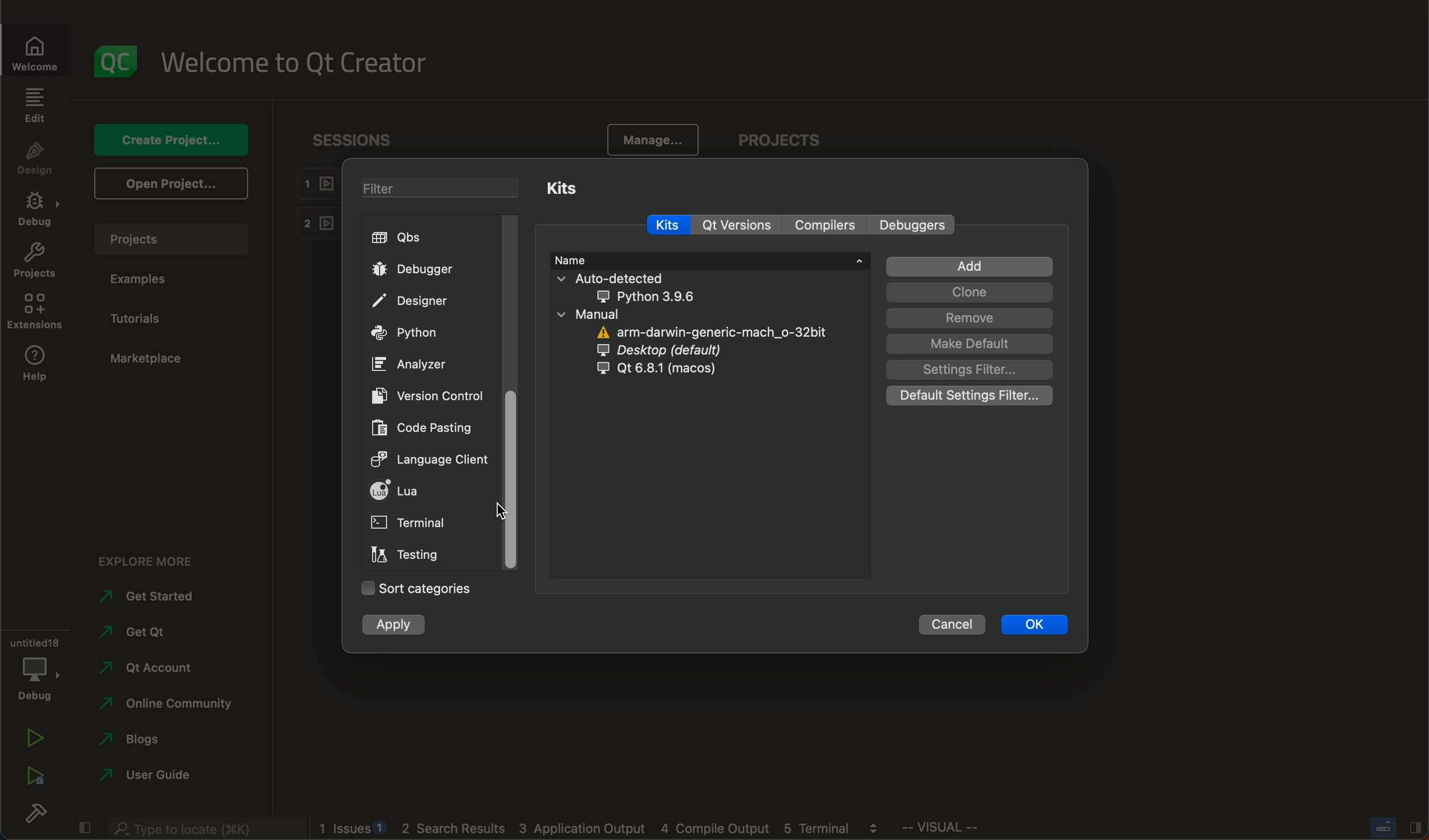 This screenshot has height=840, width=1429. I want to click on python, so click(412, 334).